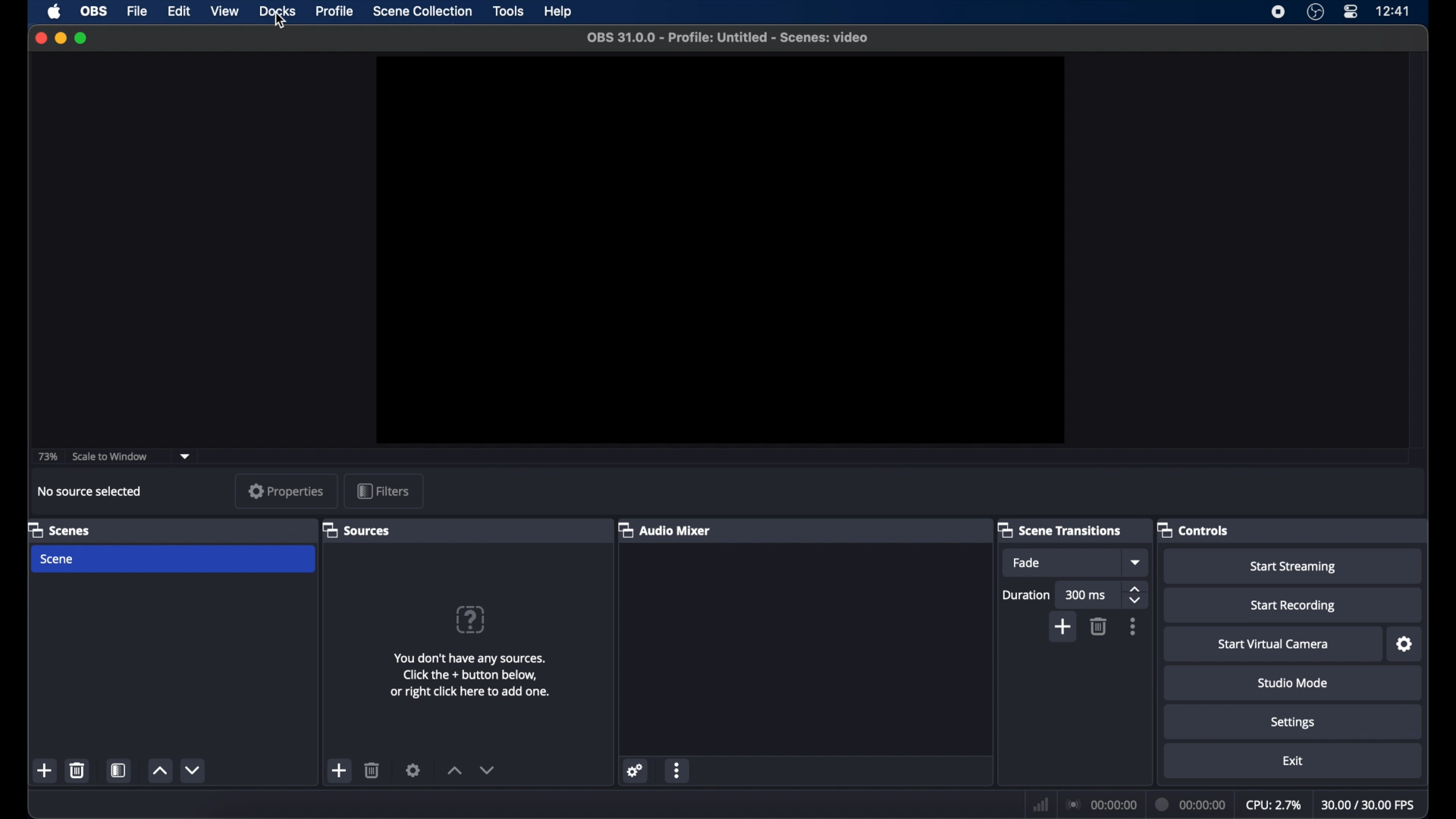 The height and width of the screenshot is (819, 1456). I want to click on 00:00:00, so click(1188, 804).